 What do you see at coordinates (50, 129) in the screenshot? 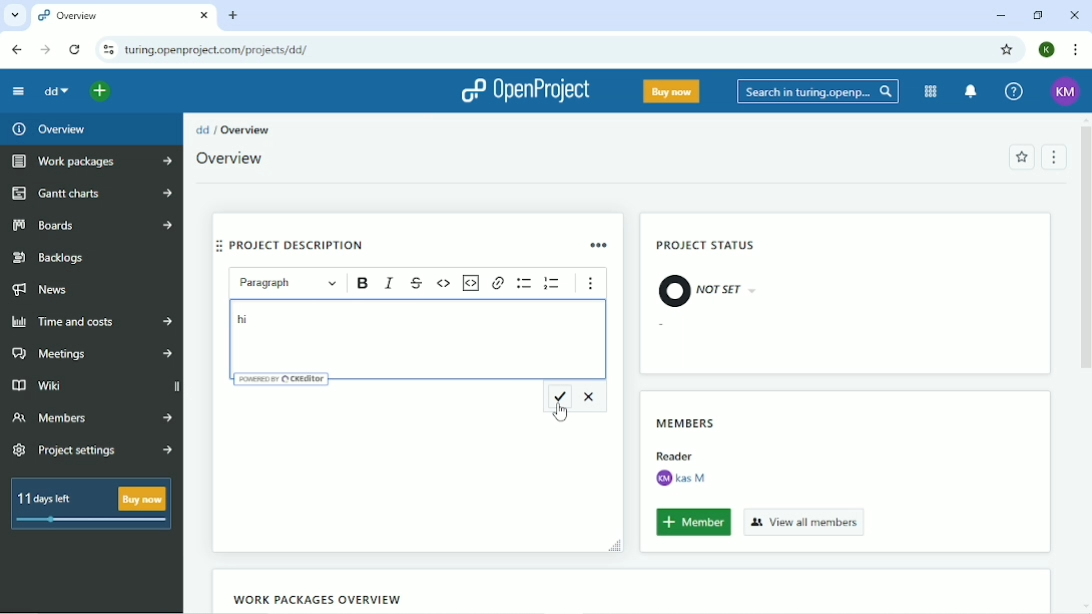
I see `Overview` at bounding box center [50, 129].